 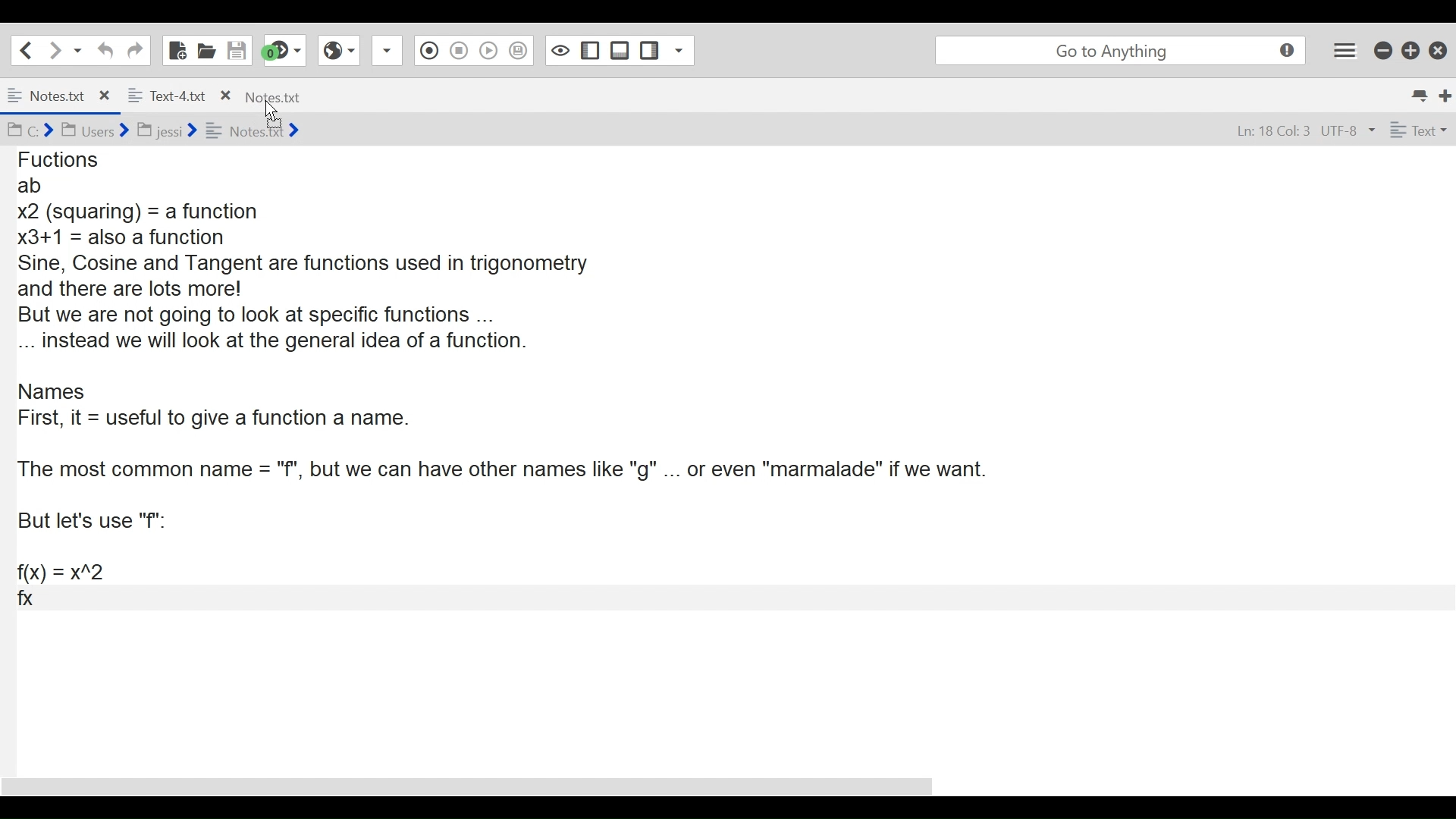 What do you see at coordinates (103, 50) in the screenshot?
I see `Undo Last Action` at bounding box center [103, 50].